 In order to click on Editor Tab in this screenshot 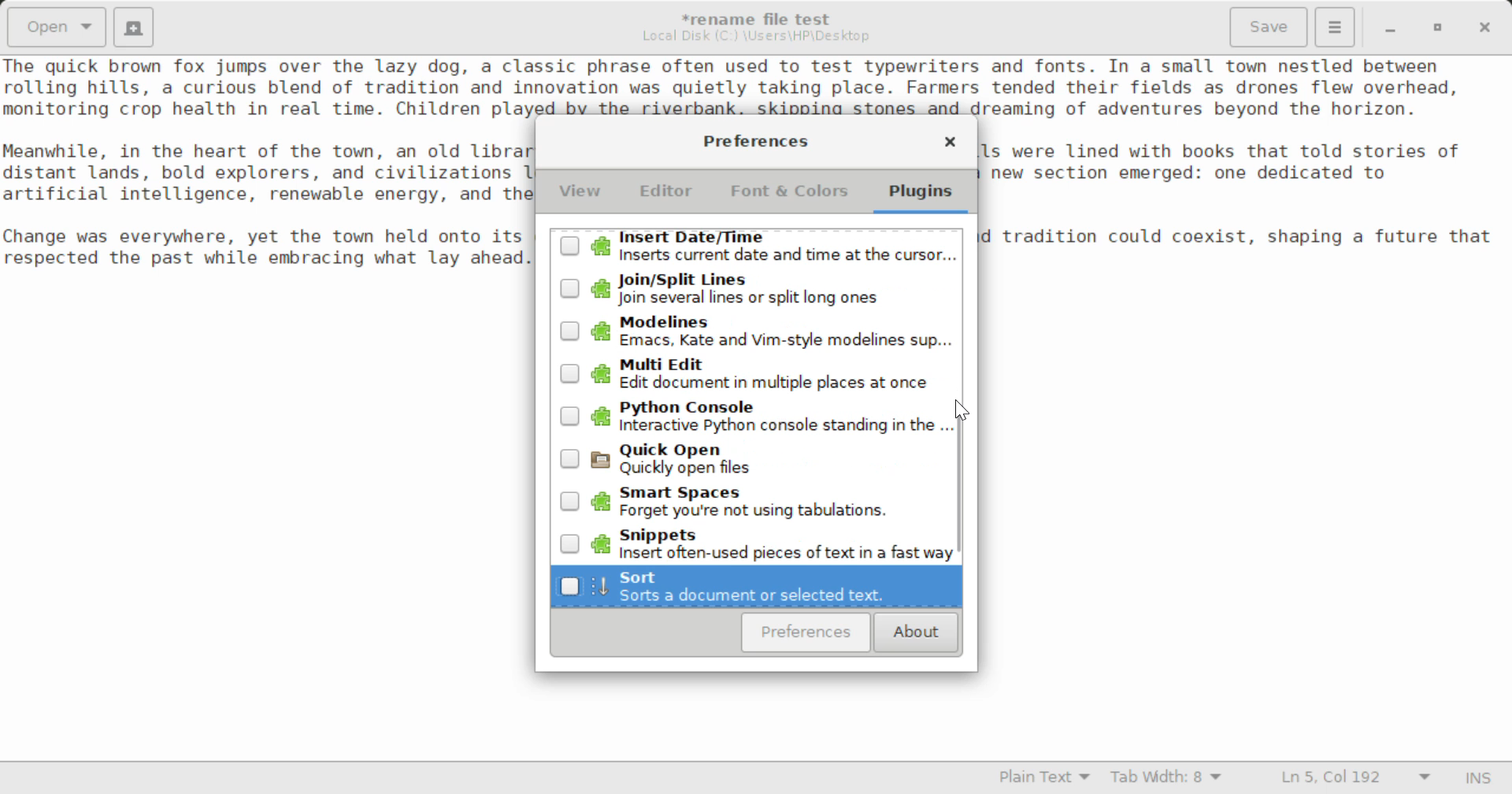, I will do `click(669, 195)`.